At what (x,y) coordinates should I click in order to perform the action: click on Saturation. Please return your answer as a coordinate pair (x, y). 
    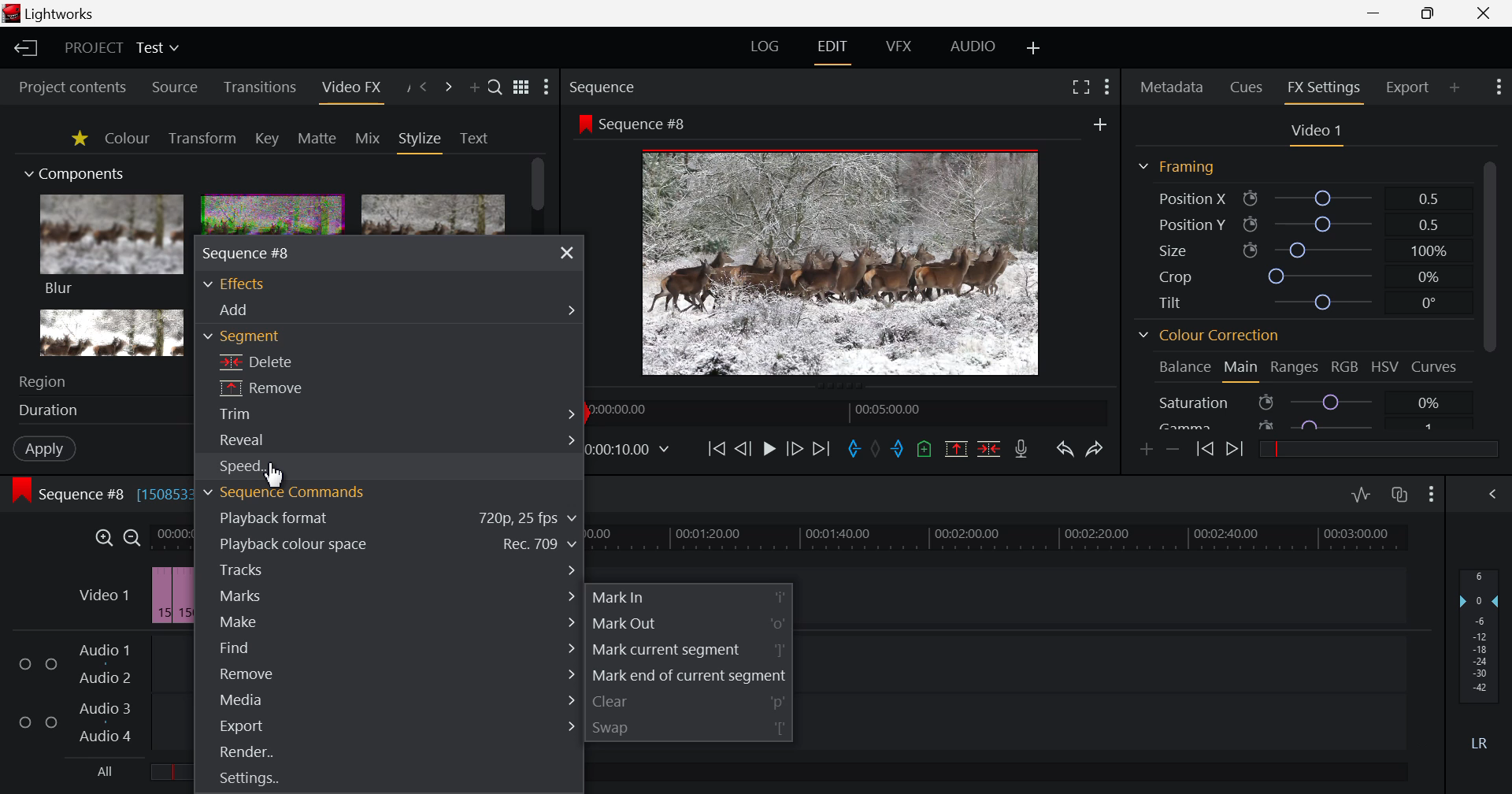
    Looking at the image, I should click on (1310, 400).